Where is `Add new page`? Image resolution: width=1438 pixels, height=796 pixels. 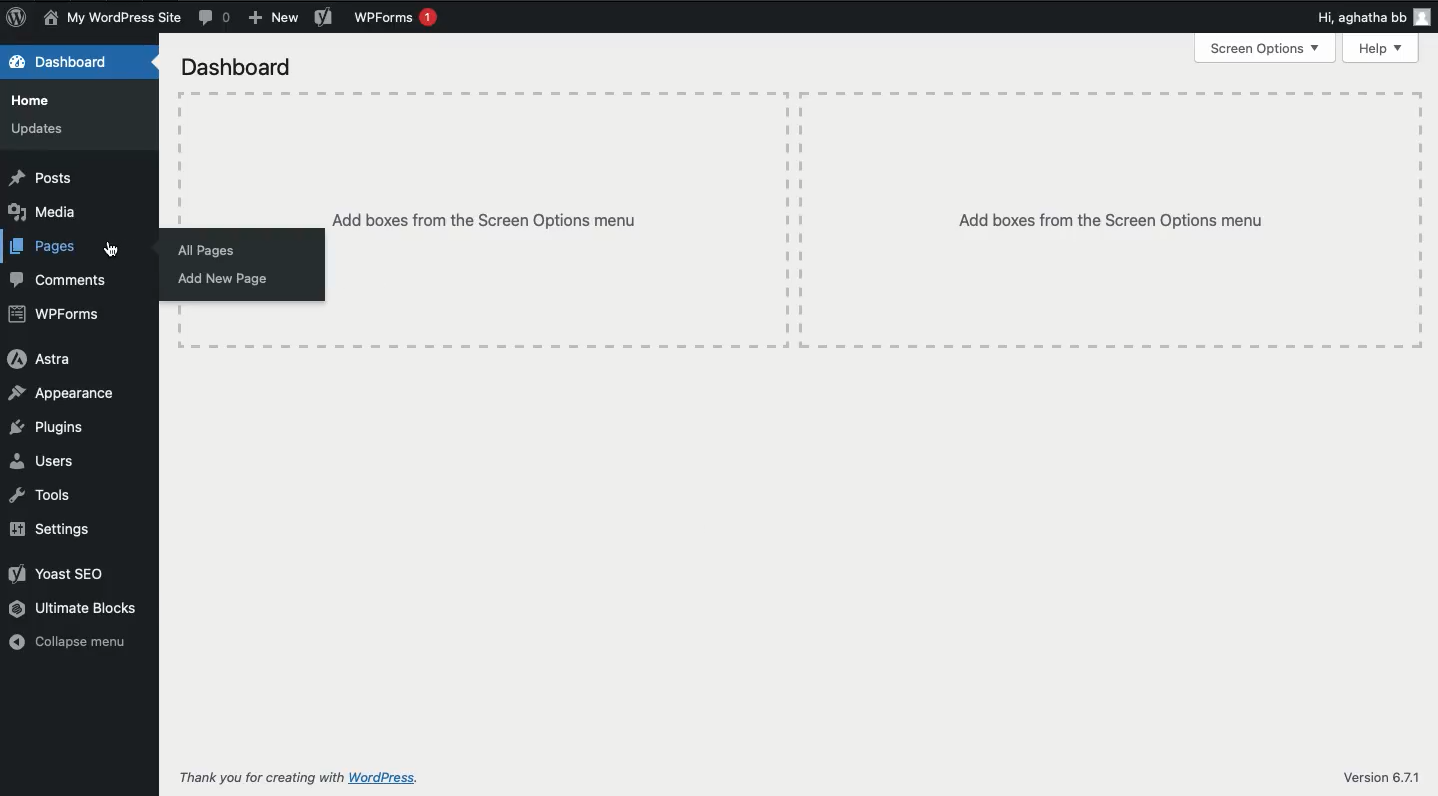
Add new page is located at coordinates (235, 280).